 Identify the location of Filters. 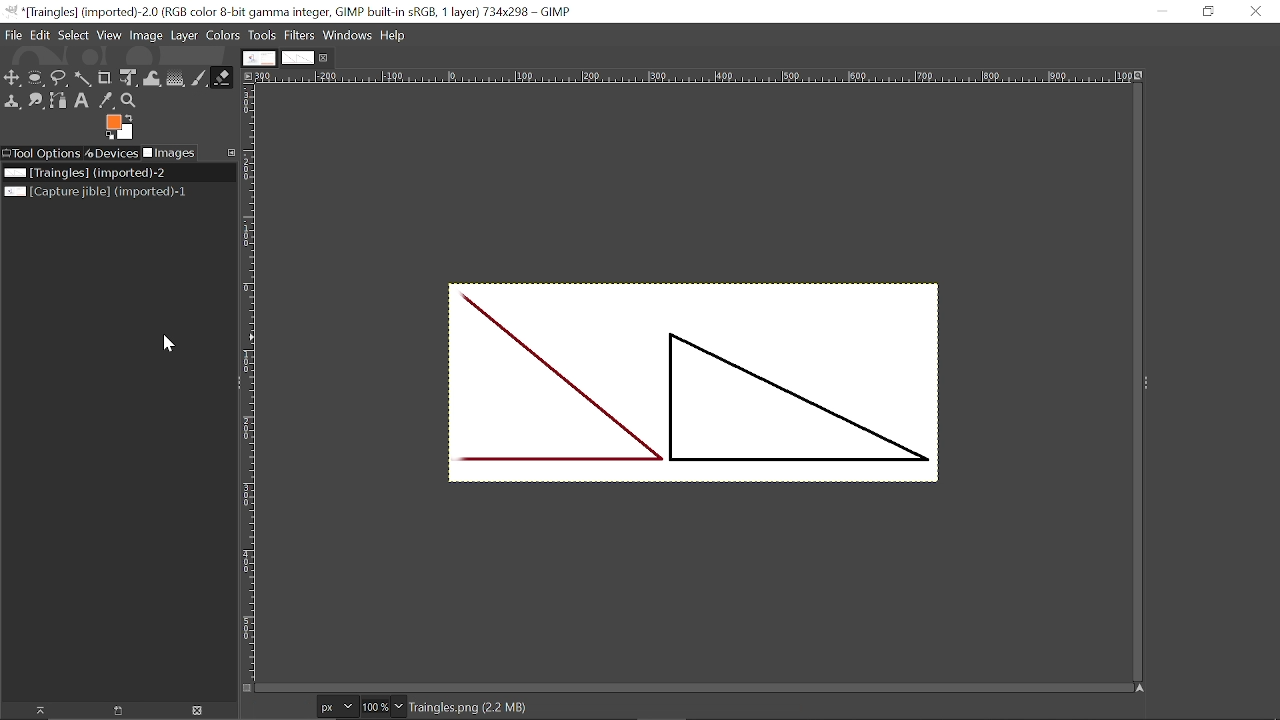
(300, 36).